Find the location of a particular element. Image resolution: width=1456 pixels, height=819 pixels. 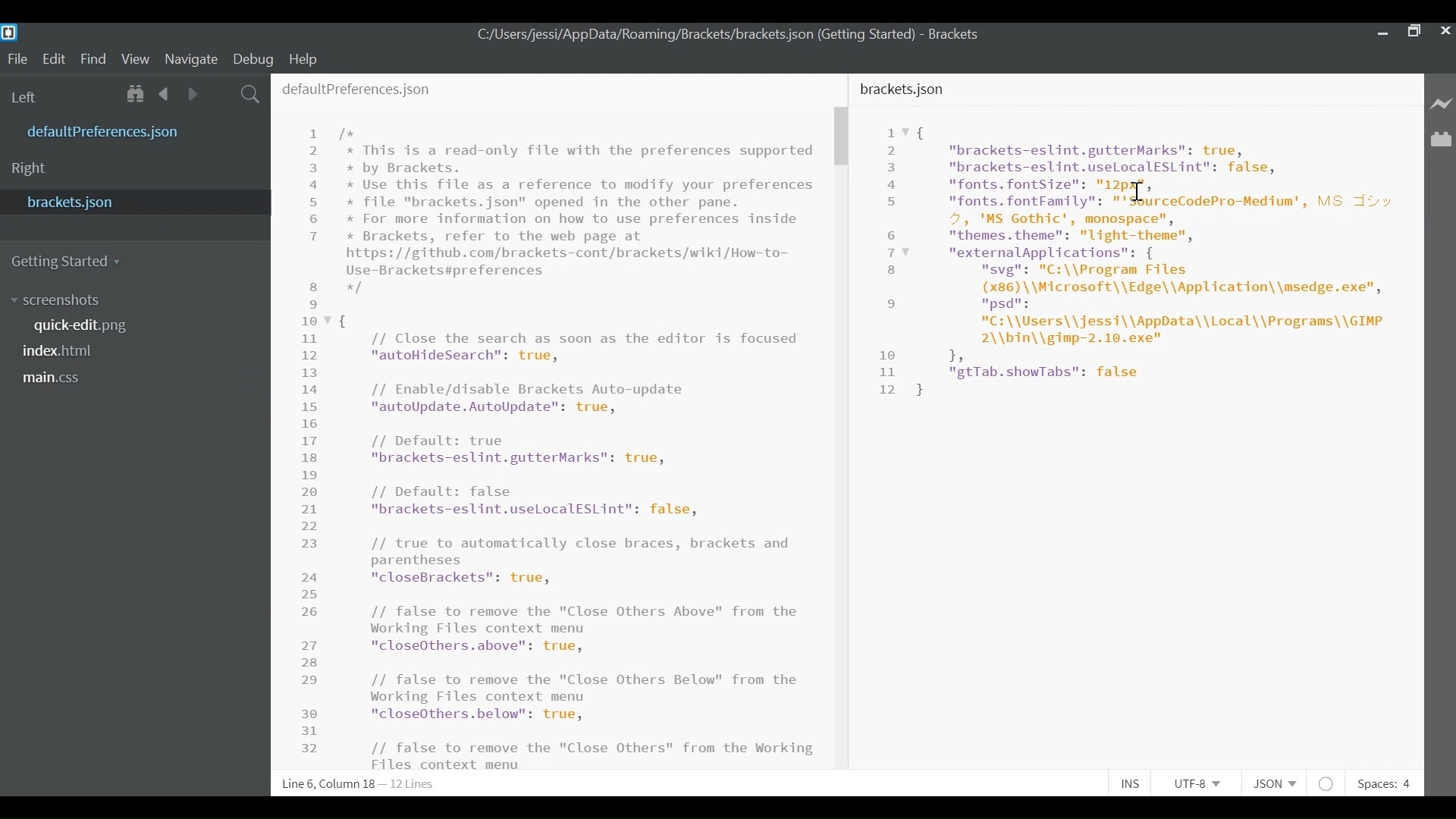

main.css file is located at coordinates (56, 377).